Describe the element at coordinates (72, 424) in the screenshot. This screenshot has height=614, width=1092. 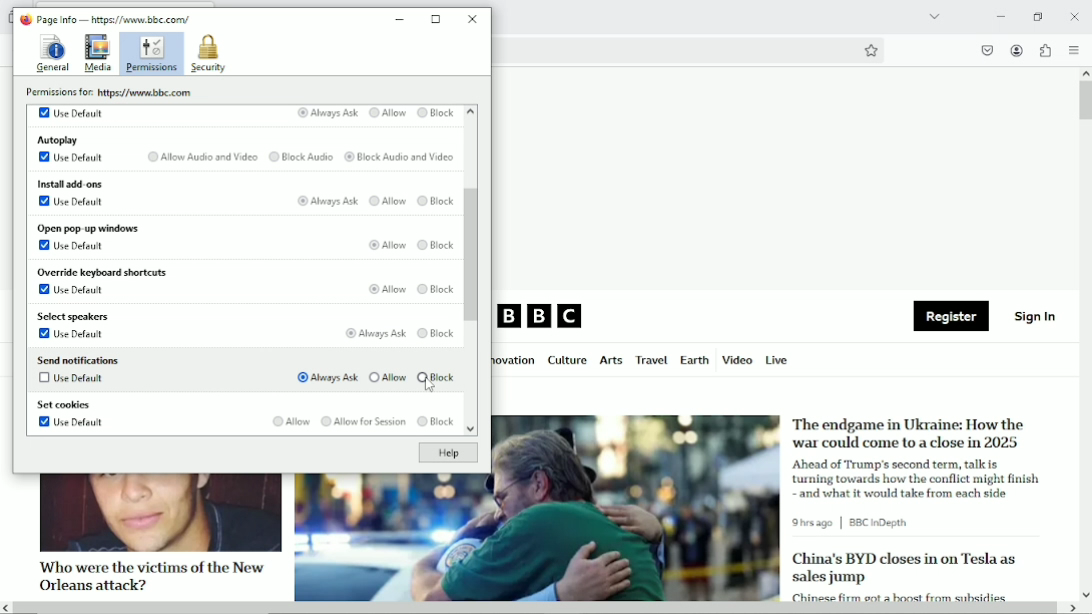
I see `Use default` at that location.